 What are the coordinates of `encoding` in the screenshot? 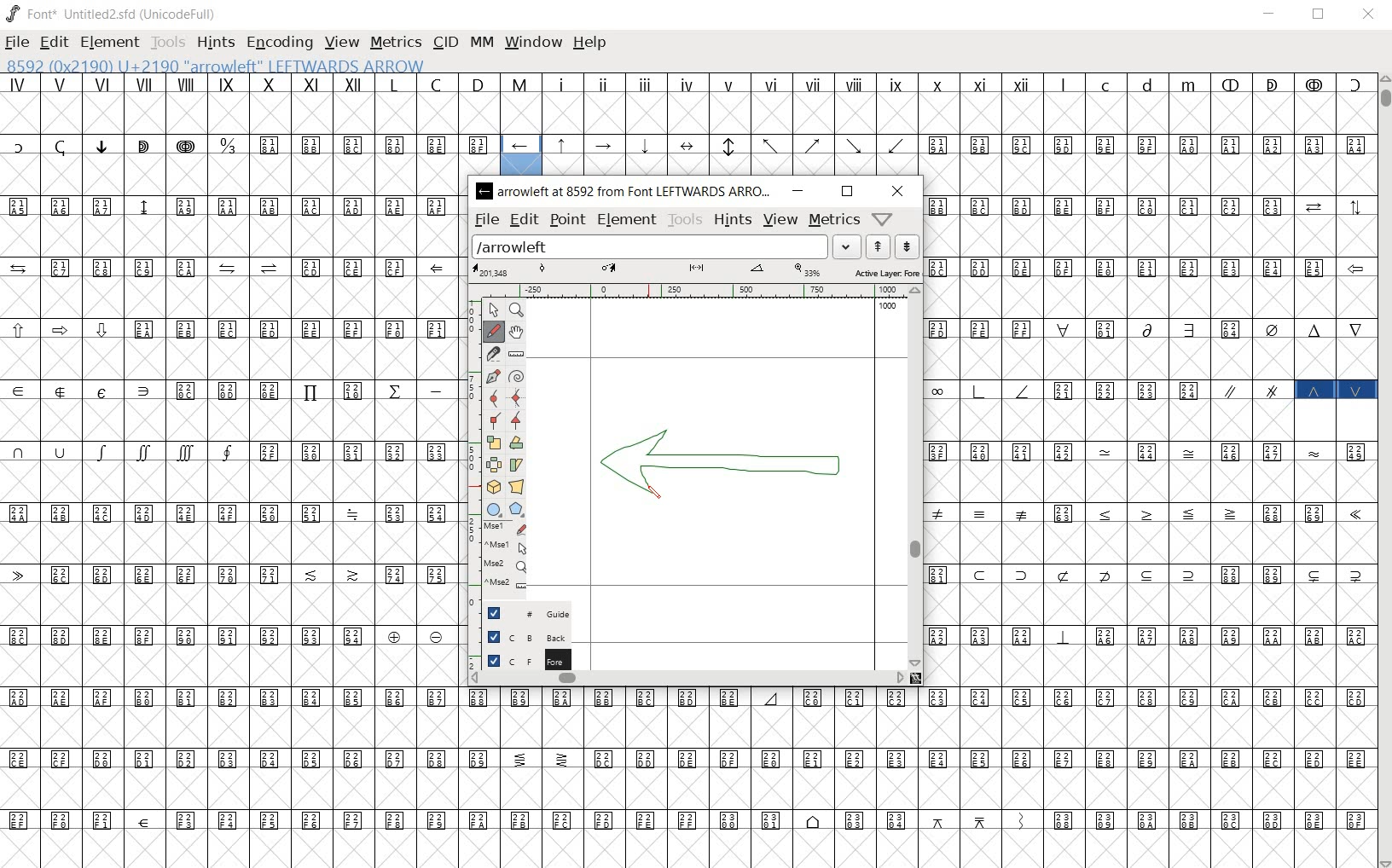 It's located at (281, 44).